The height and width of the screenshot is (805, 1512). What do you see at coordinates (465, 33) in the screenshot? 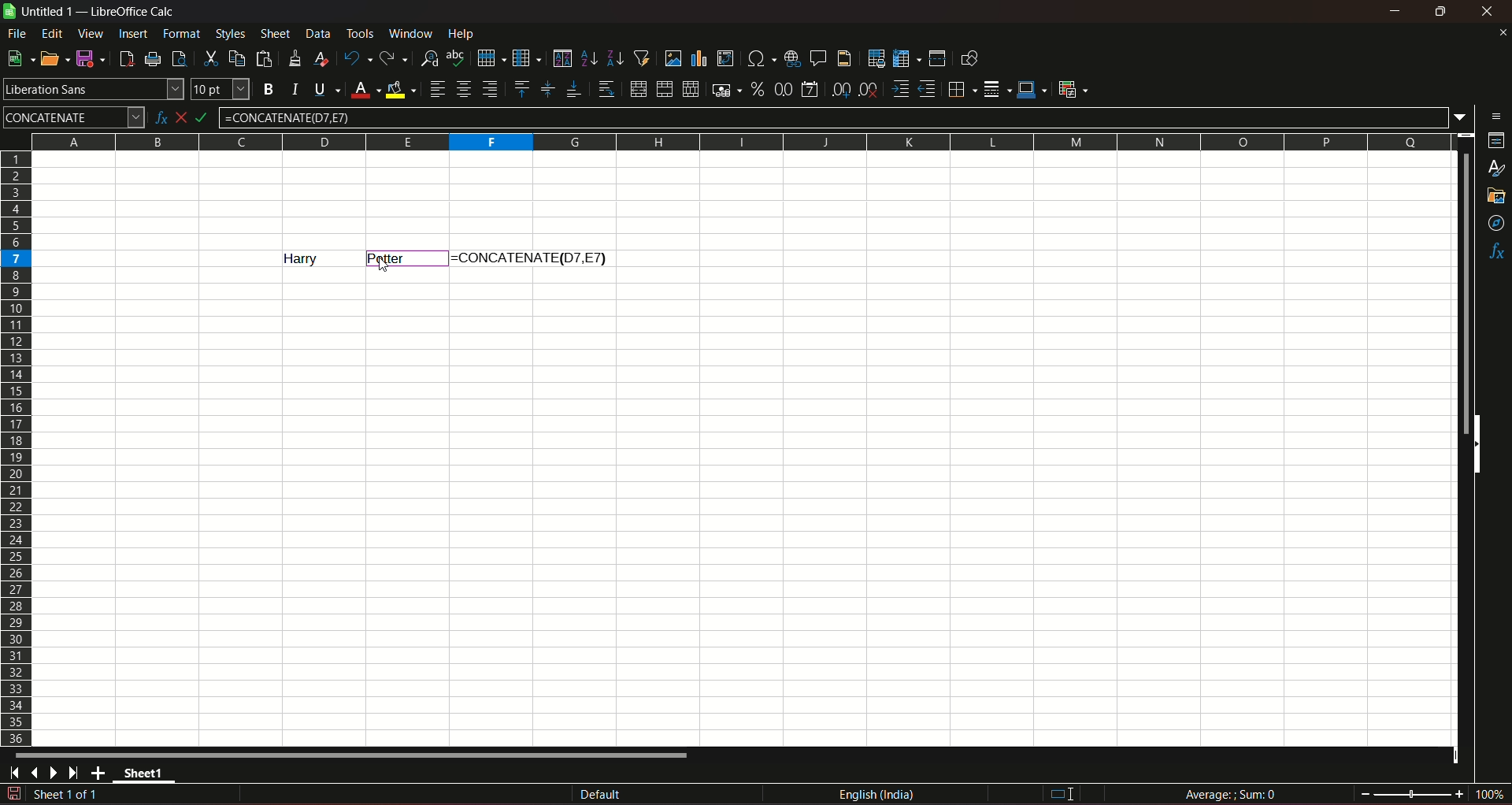
I see `help` at bounding box center [465, 33].